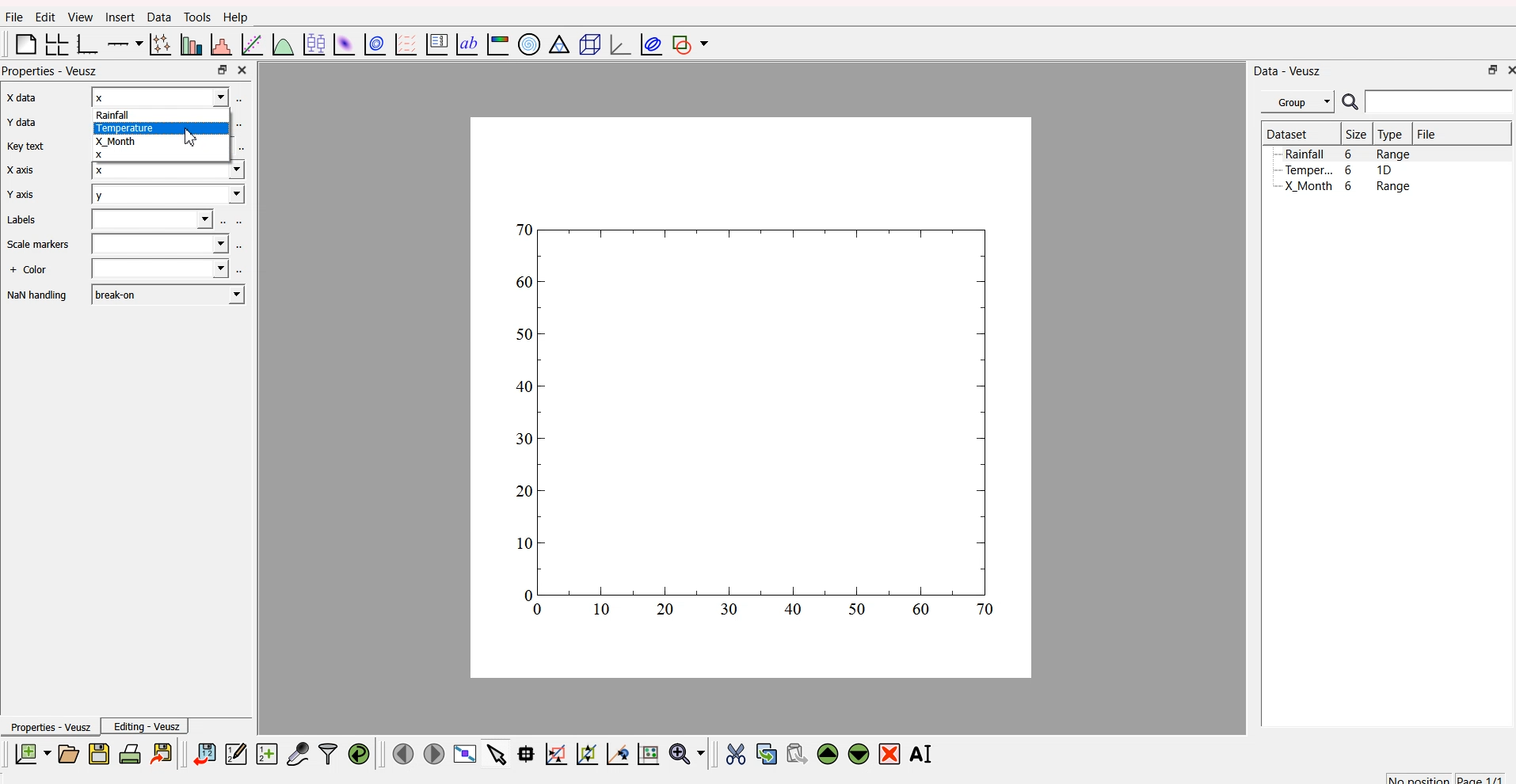 Image resolution: width=1516 pixels, height=784 pixels. What do you see at coordinates (19, 99) in the screenshot?
I see `x axis` at bounding box center [19, 99].